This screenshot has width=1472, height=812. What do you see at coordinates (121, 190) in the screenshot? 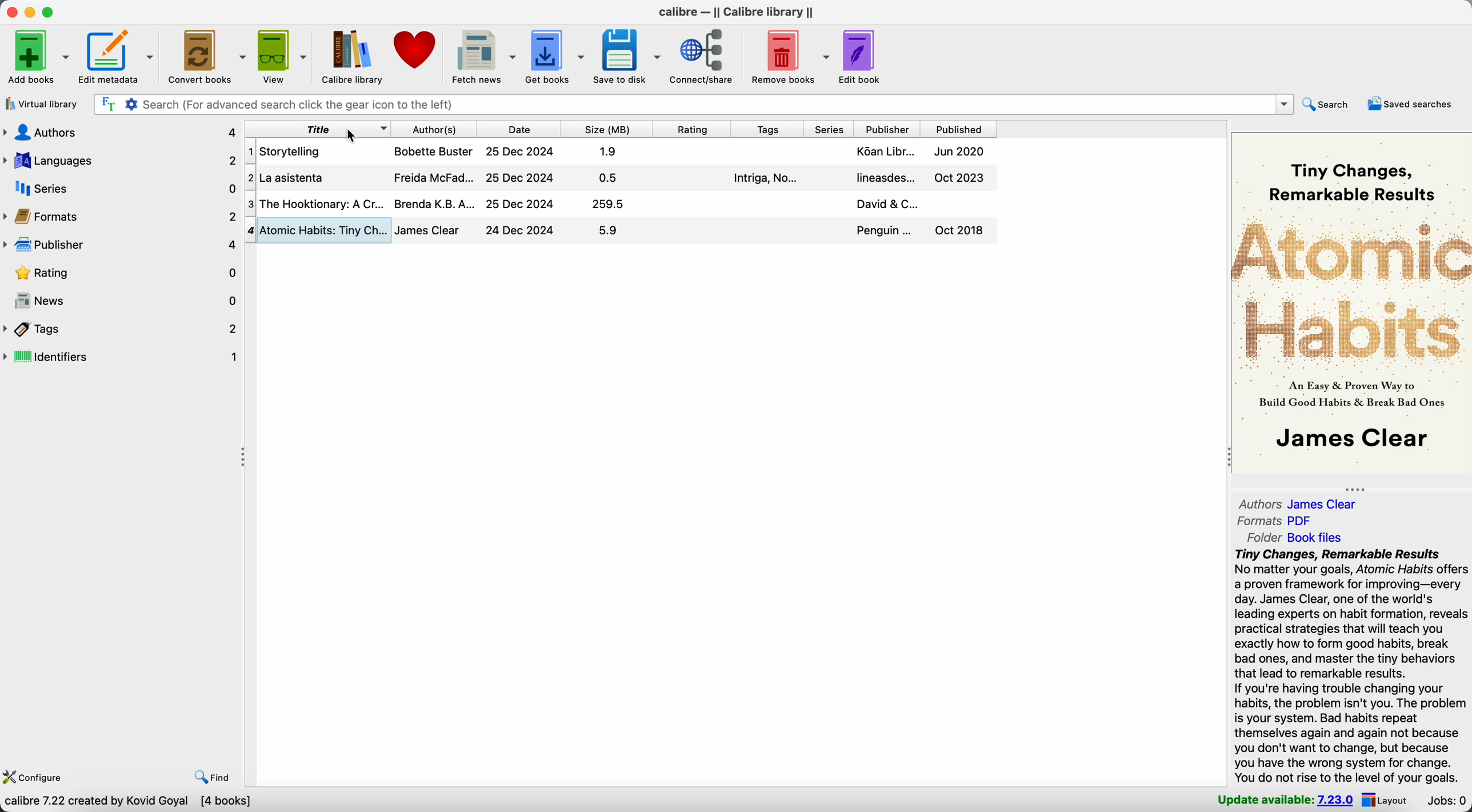
I see `series` at bounding box center [121, 190].